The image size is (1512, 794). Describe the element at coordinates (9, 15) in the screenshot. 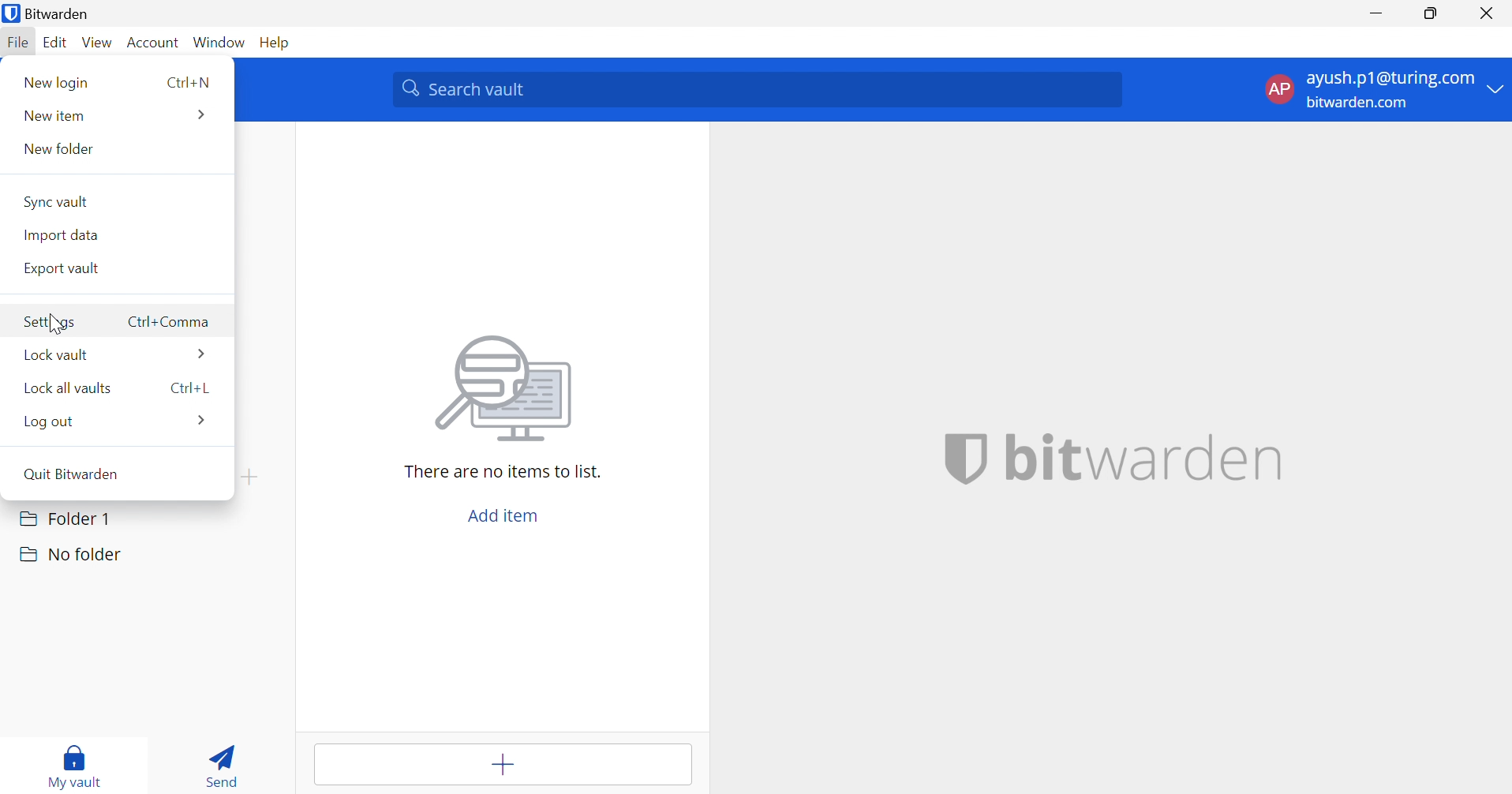

I see `bitwarden logo` at that location.